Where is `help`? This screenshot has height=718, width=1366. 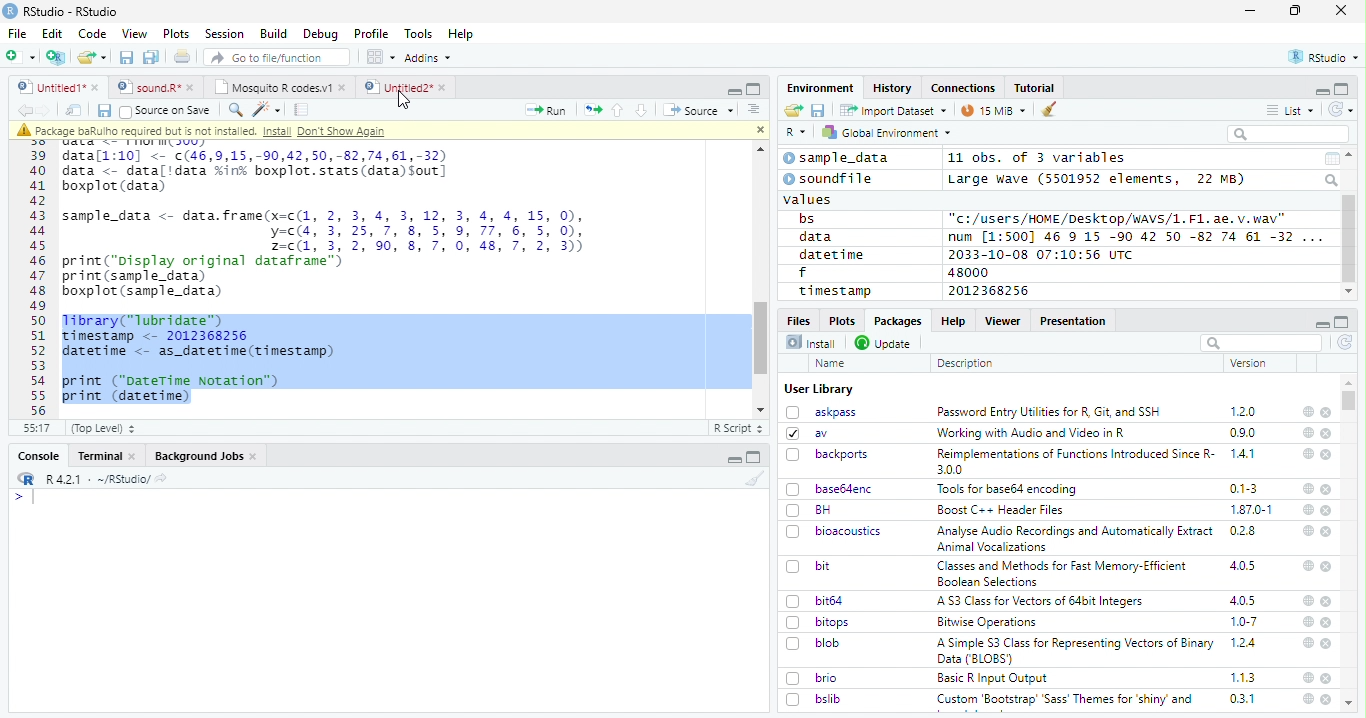 help is located at coordinates (1308, 432).